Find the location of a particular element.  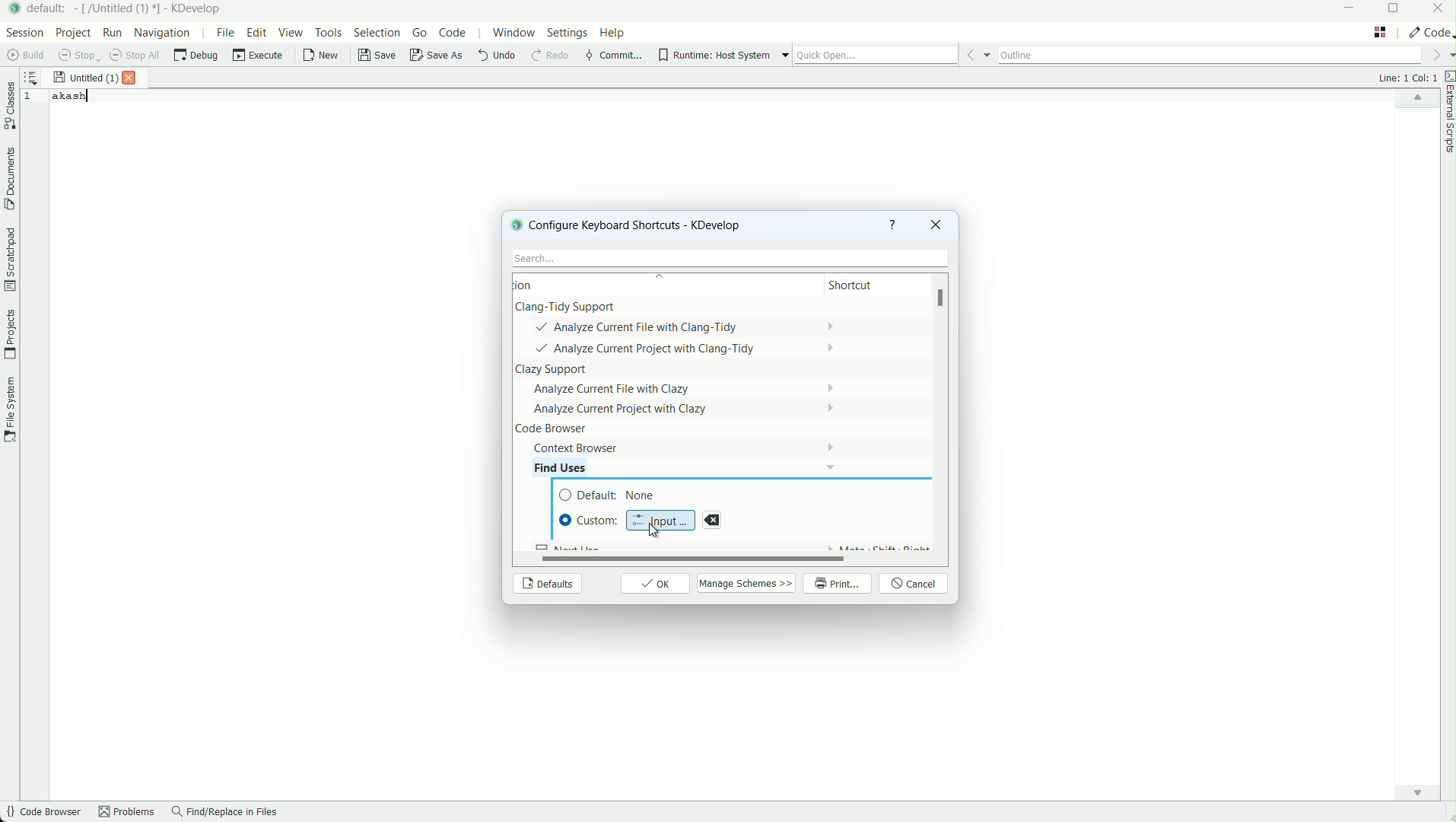

action is located at coordinates (544, 285).